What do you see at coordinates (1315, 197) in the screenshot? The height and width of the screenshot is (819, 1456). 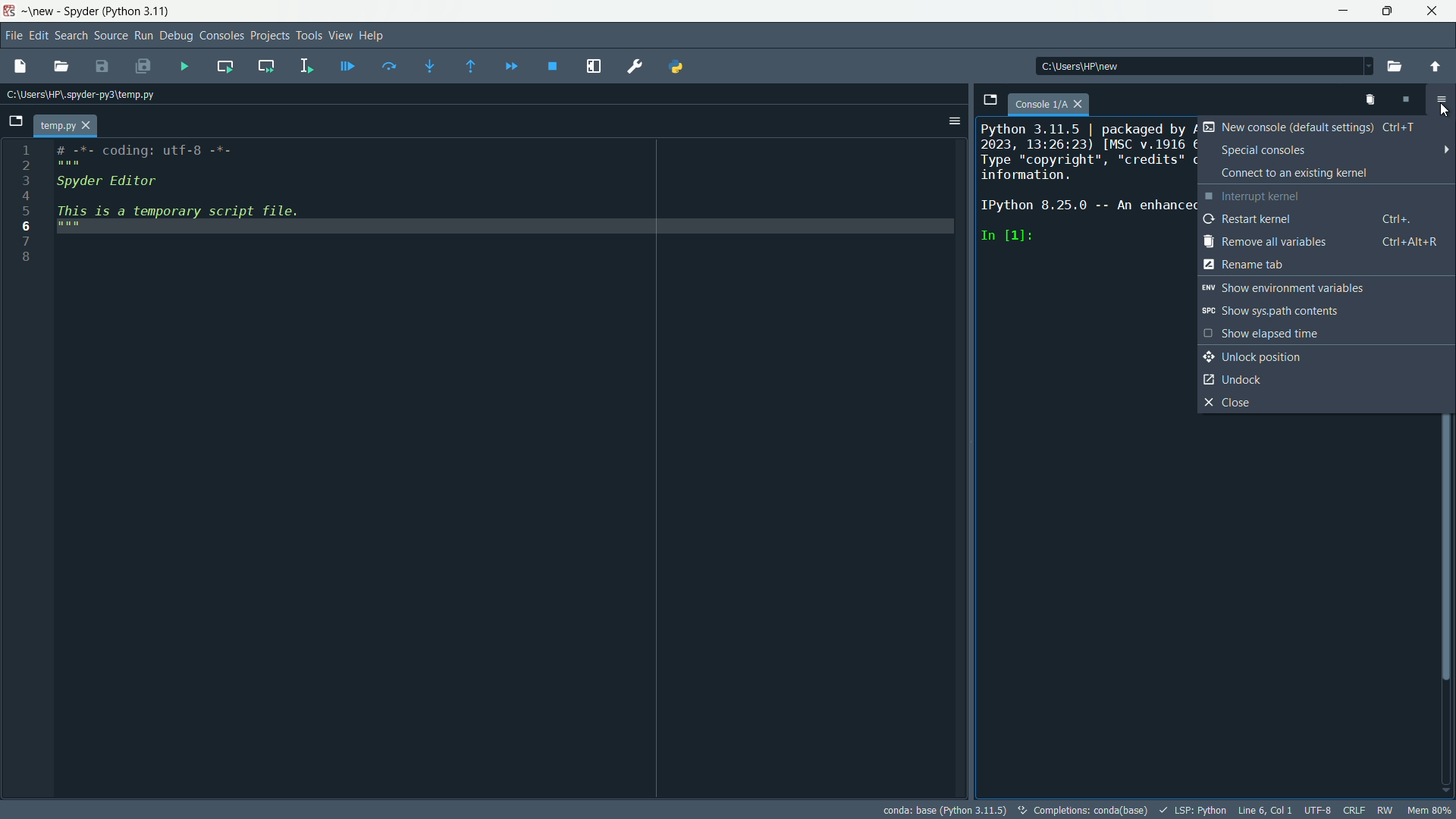 I see `Interrupt Kernel` at bounding box center [1315, 197].